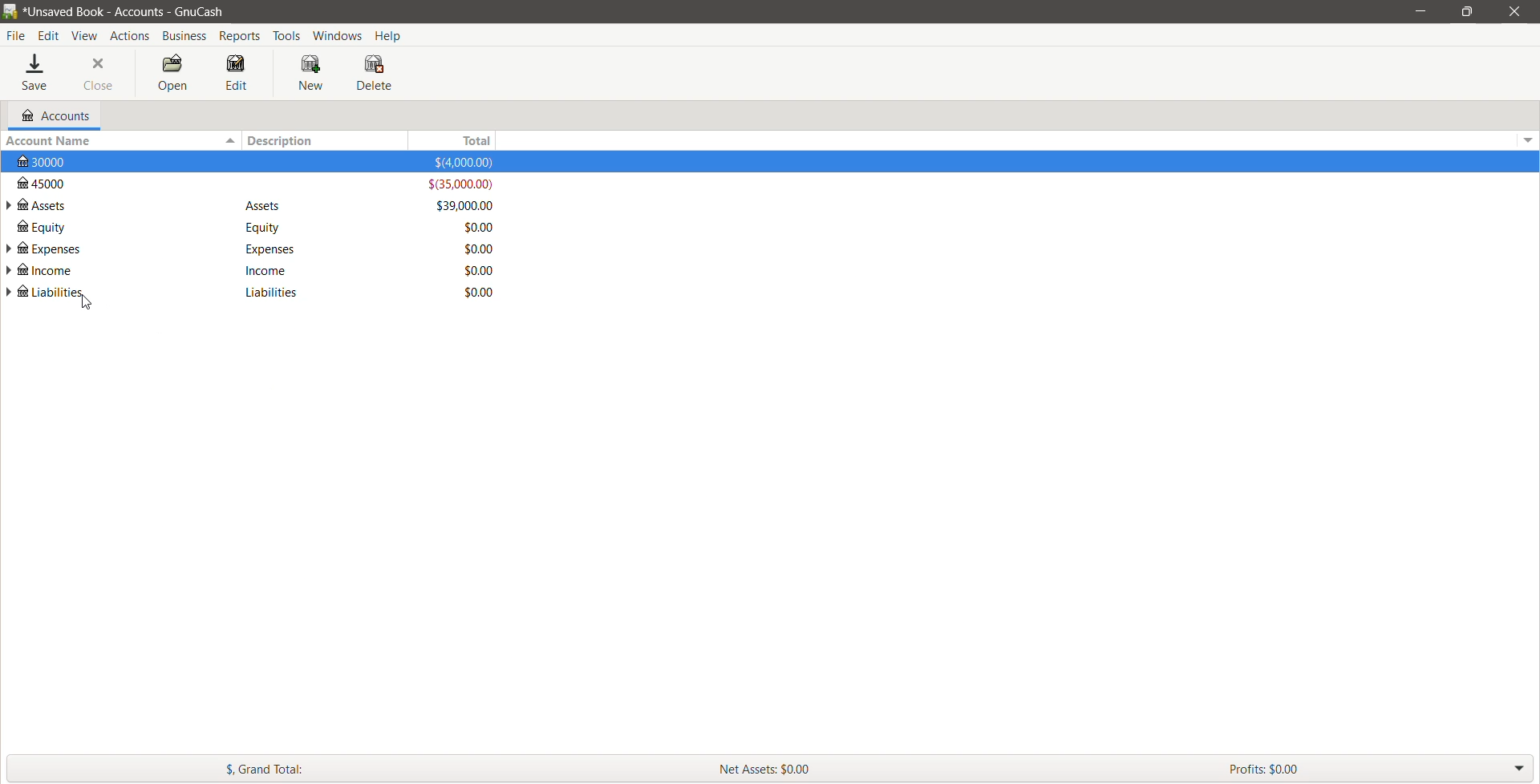  What do you see at coordinates (338, 34) in the screenshot?
I see `Windows` at bounding box center [338, 34].